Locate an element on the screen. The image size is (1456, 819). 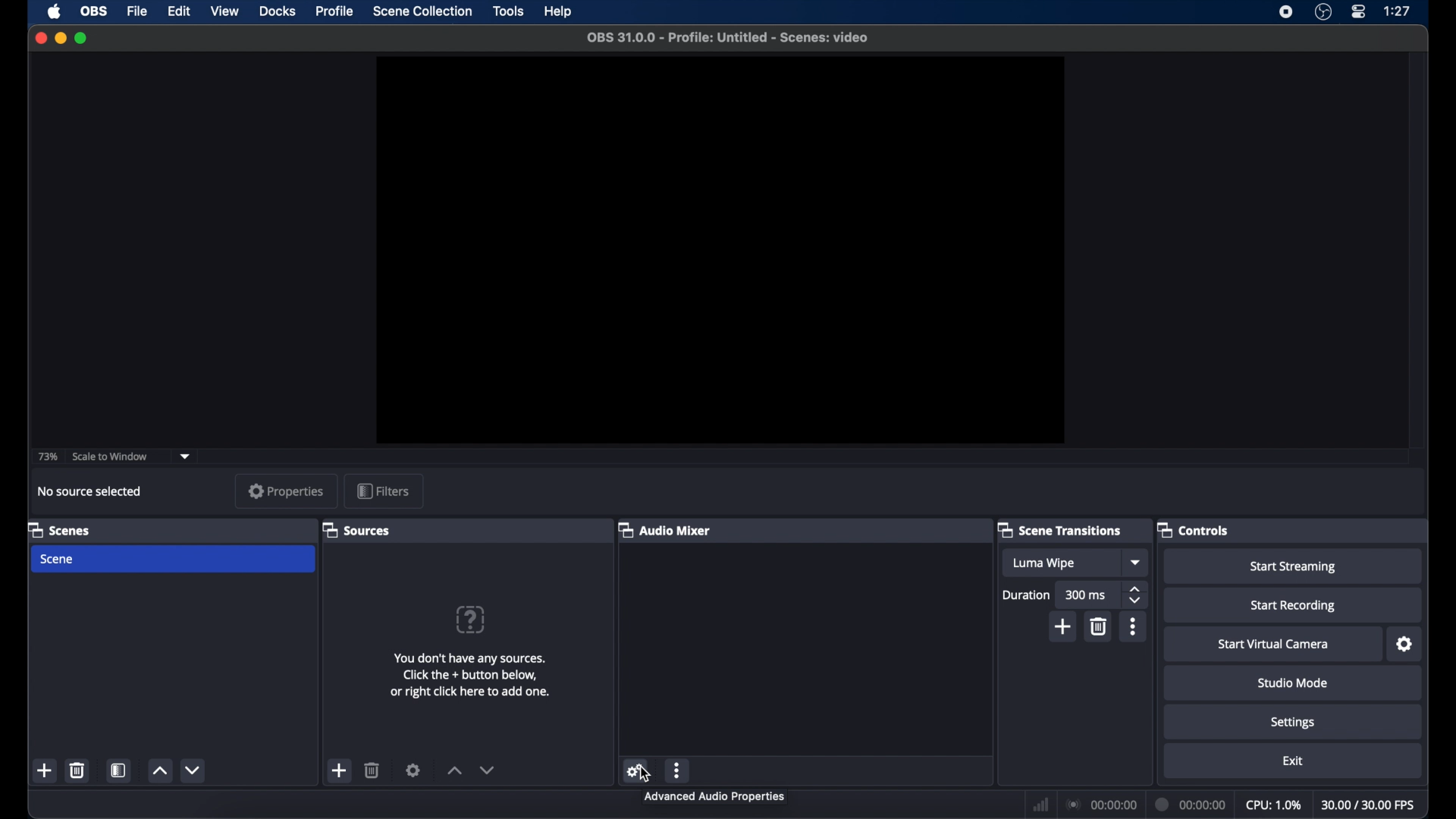
decrement is located at coordinates (488, 770).